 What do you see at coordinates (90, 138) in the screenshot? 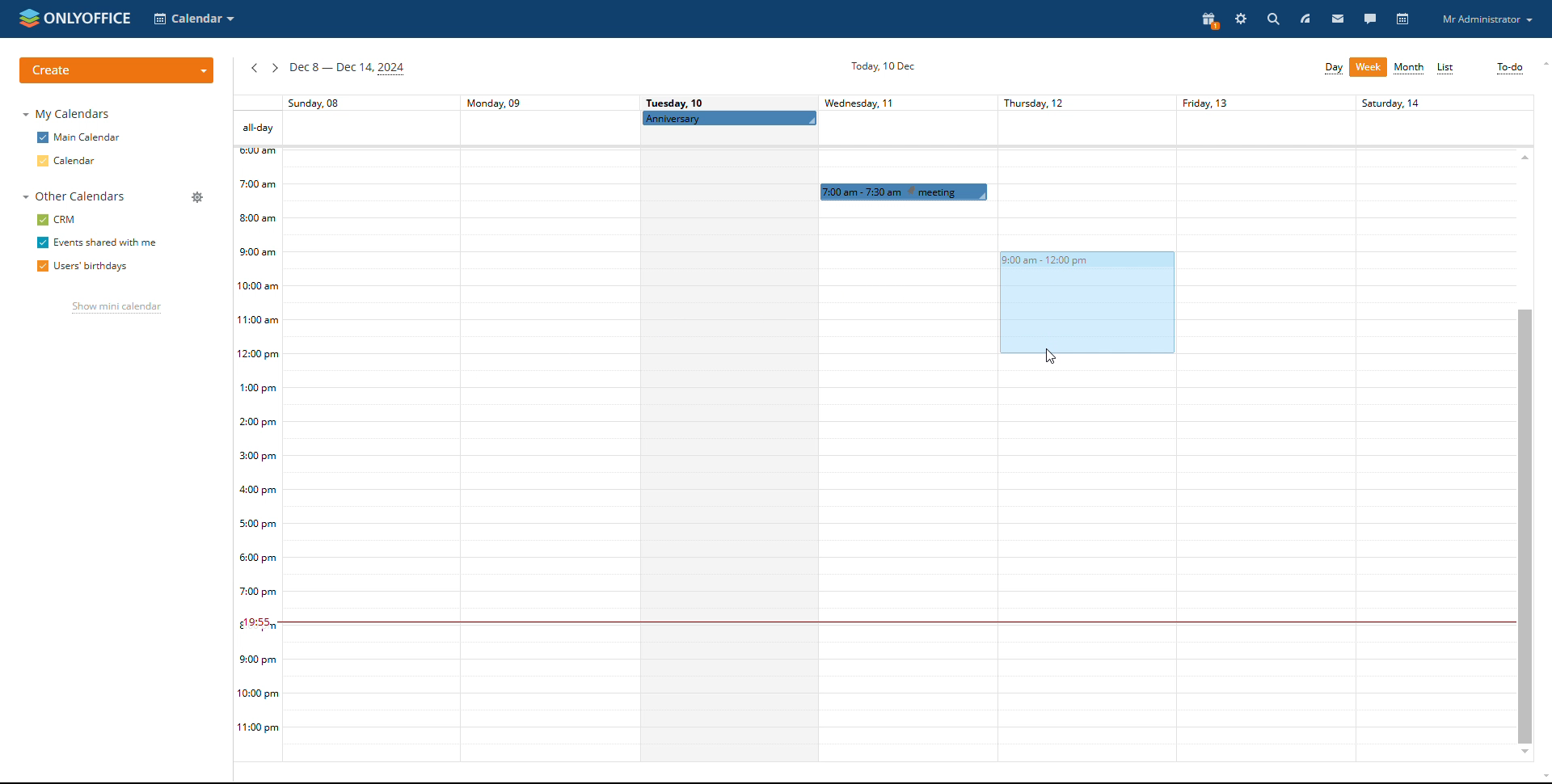
I see `main calendar` at bounding box center [90, 138].